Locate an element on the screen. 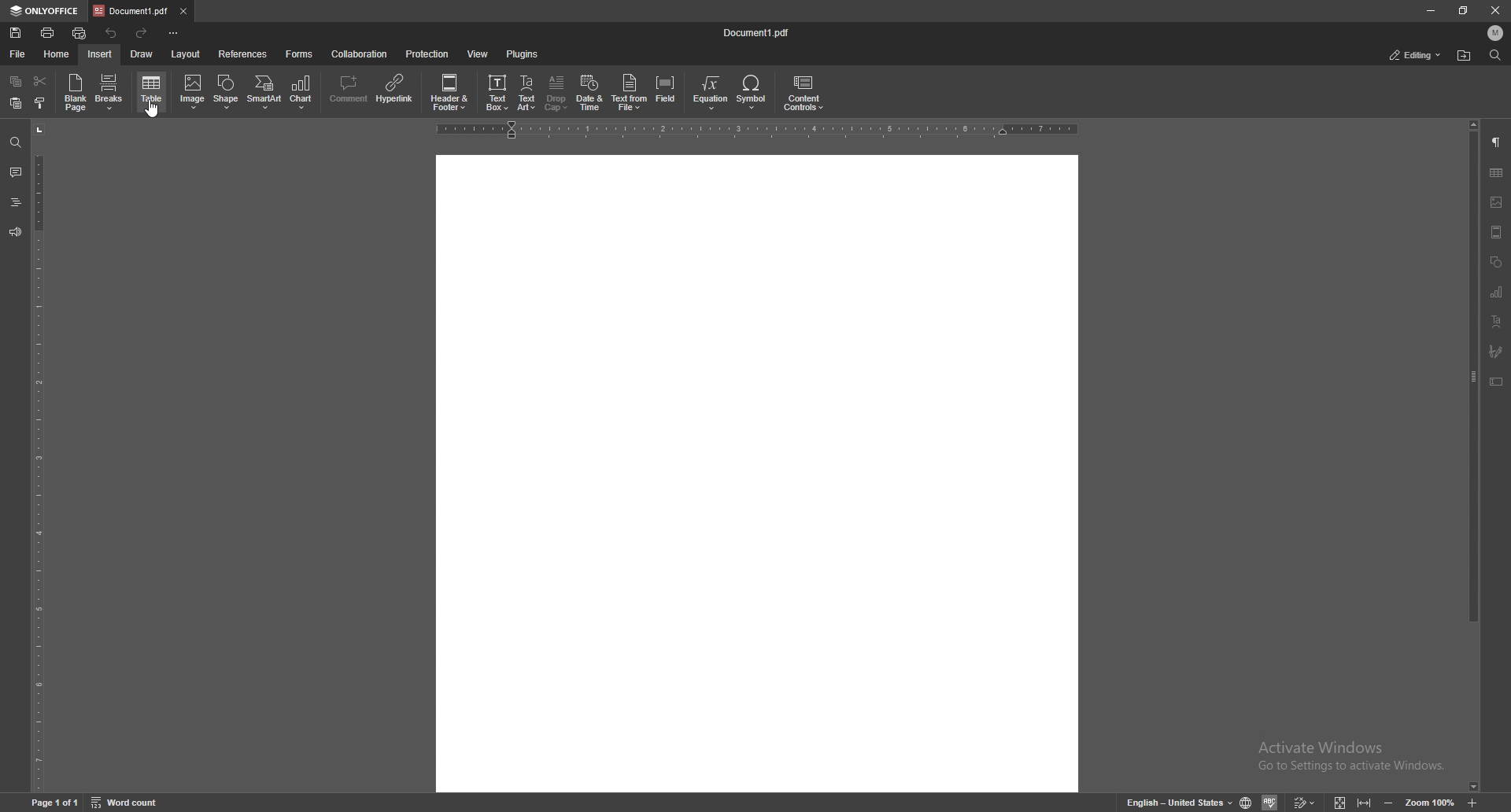 The width and height of the screenshot is (1511, 812). fit to screen is located at coordinates (1343, 801).